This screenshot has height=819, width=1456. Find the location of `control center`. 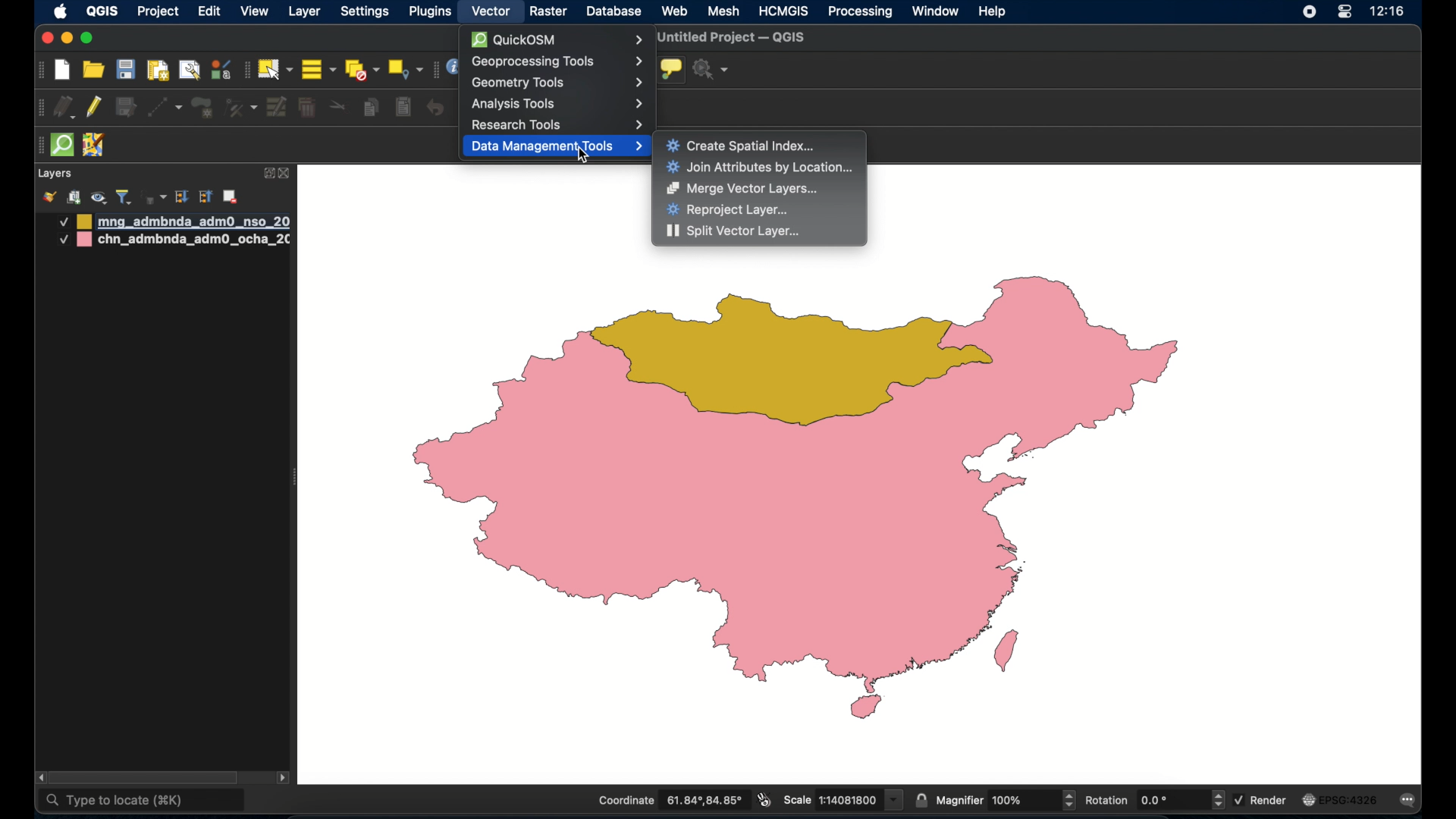

control center is located at coordinates (1344, 13).